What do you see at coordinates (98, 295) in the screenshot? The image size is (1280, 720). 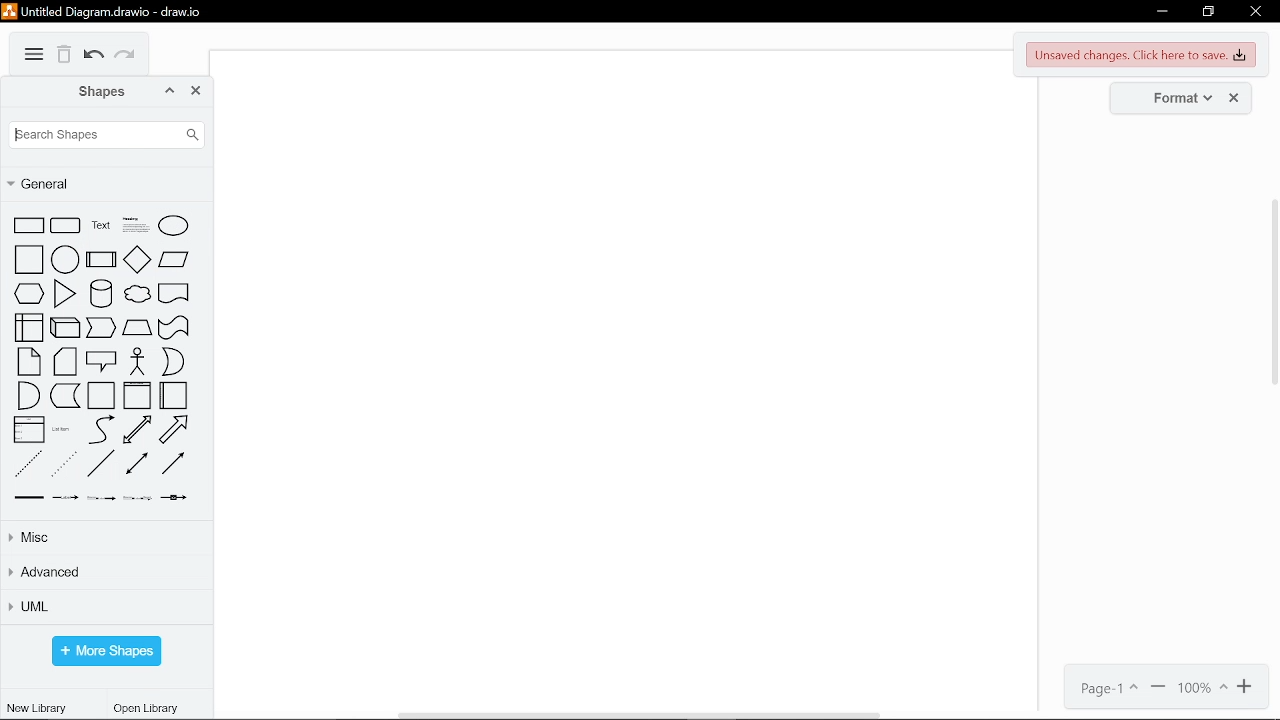 I see `cylinder` at bounding box center [98, 295].